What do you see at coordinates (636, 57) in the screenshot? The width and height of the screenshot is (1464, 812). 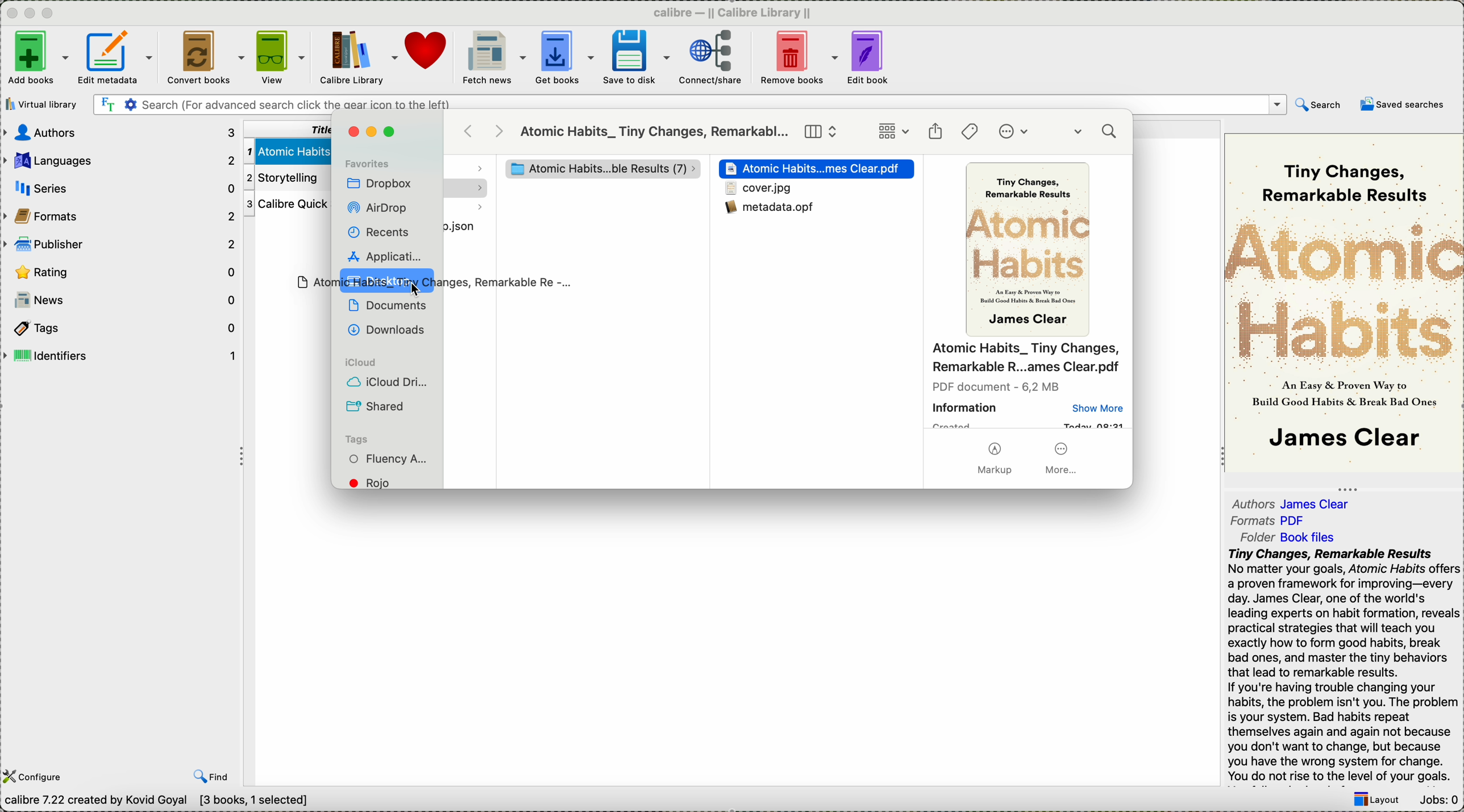 I see `save to disk` at bounding box center [636, 57].